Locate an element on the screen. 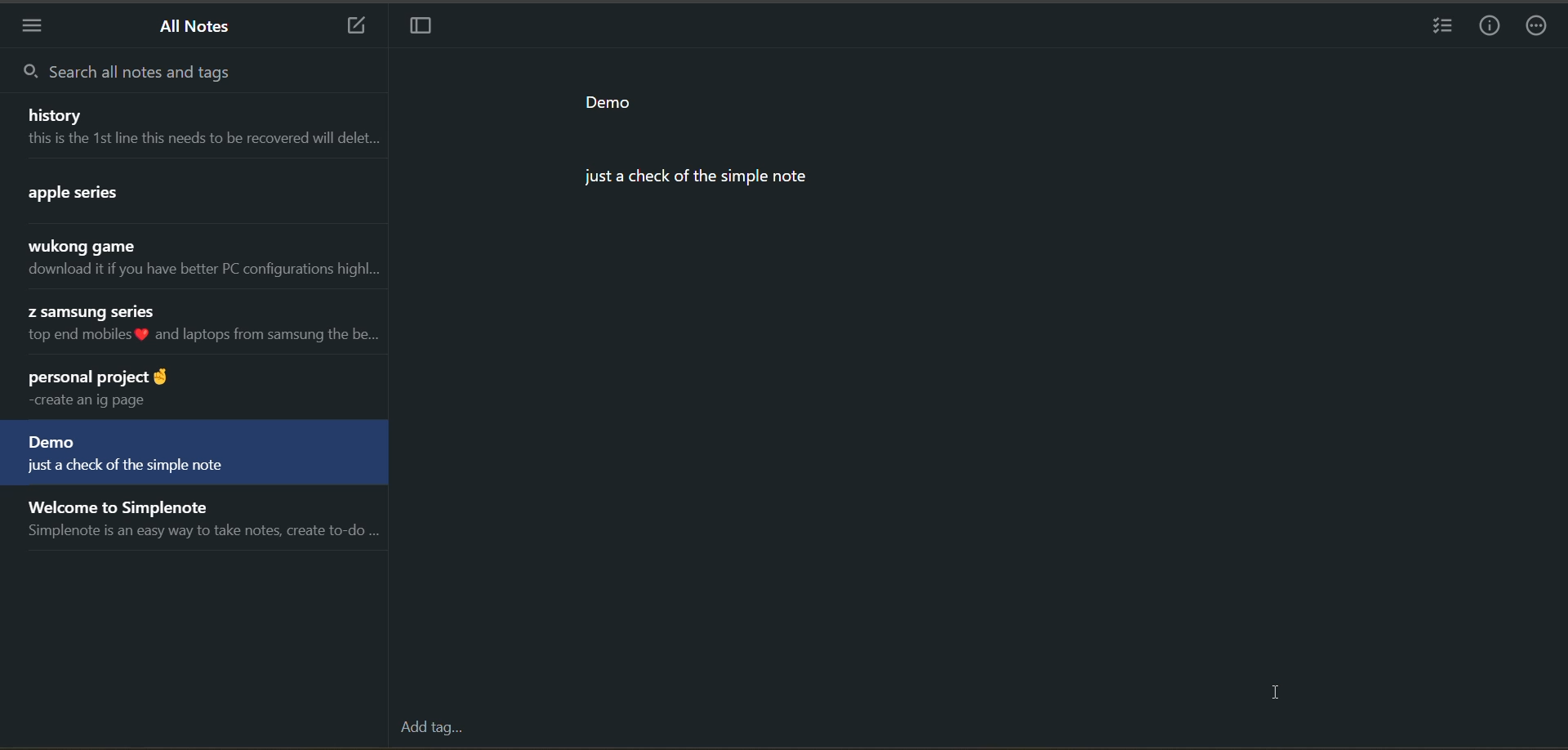  note title and preview is located at coordinates (195, 326).